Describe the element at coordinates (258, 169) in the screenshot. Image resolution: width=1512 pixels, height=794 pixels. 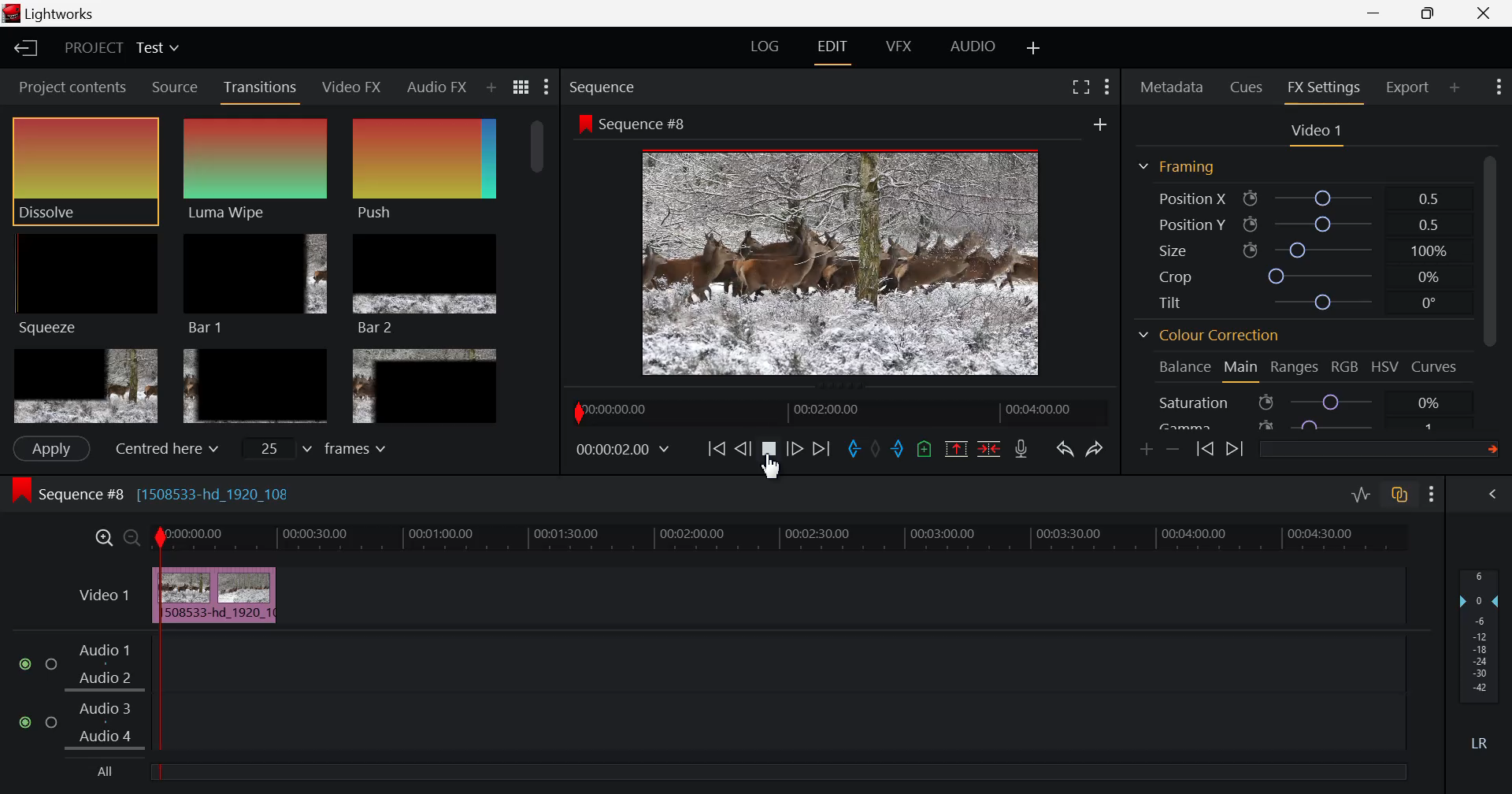
I see `Luma Wipe` at that location.